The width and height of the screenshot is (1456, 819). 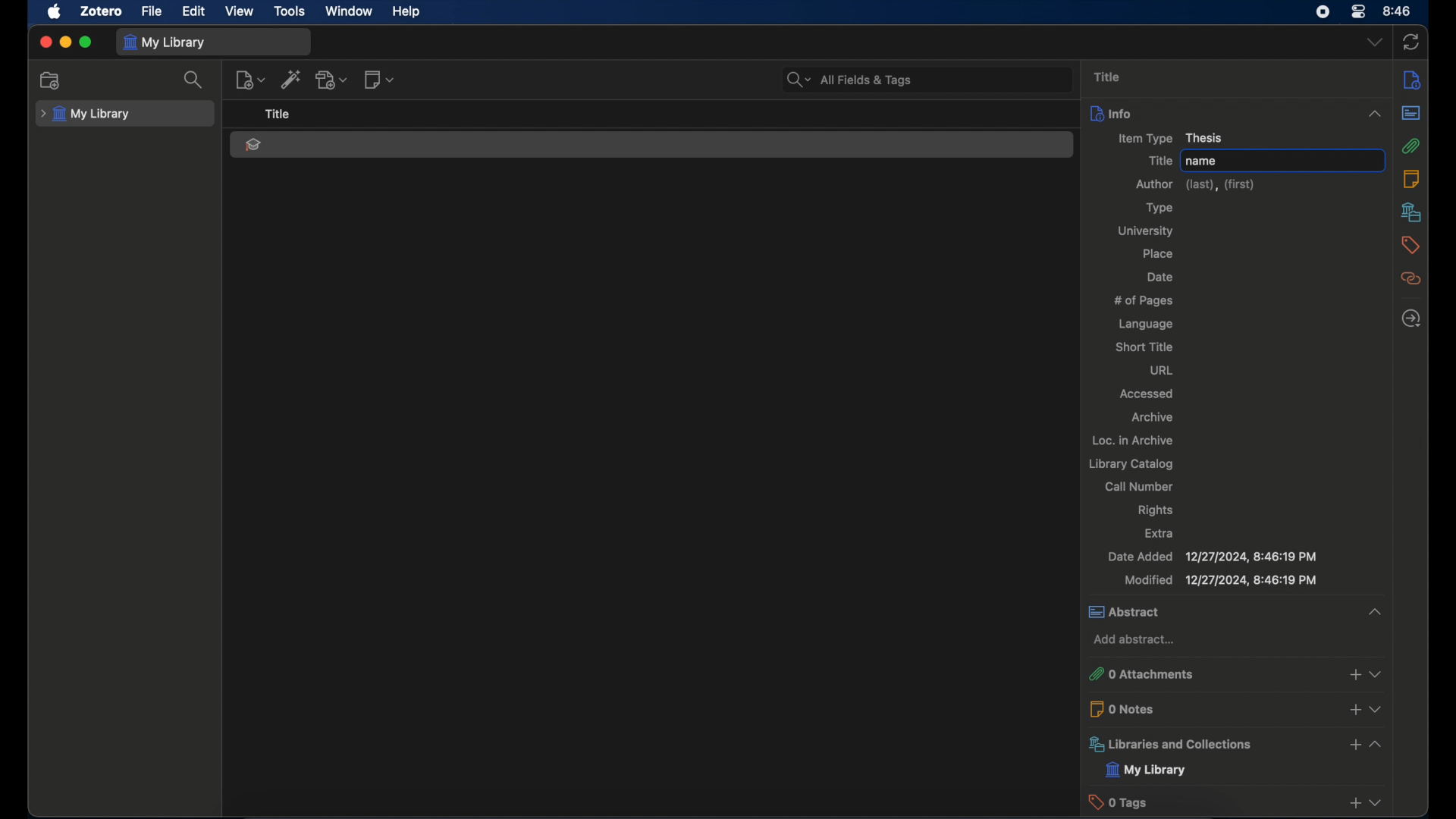 What do you see at coordinates (1323, 11) in the screenshot?
I see `screen recorder` at bounding box center [1323, 11].